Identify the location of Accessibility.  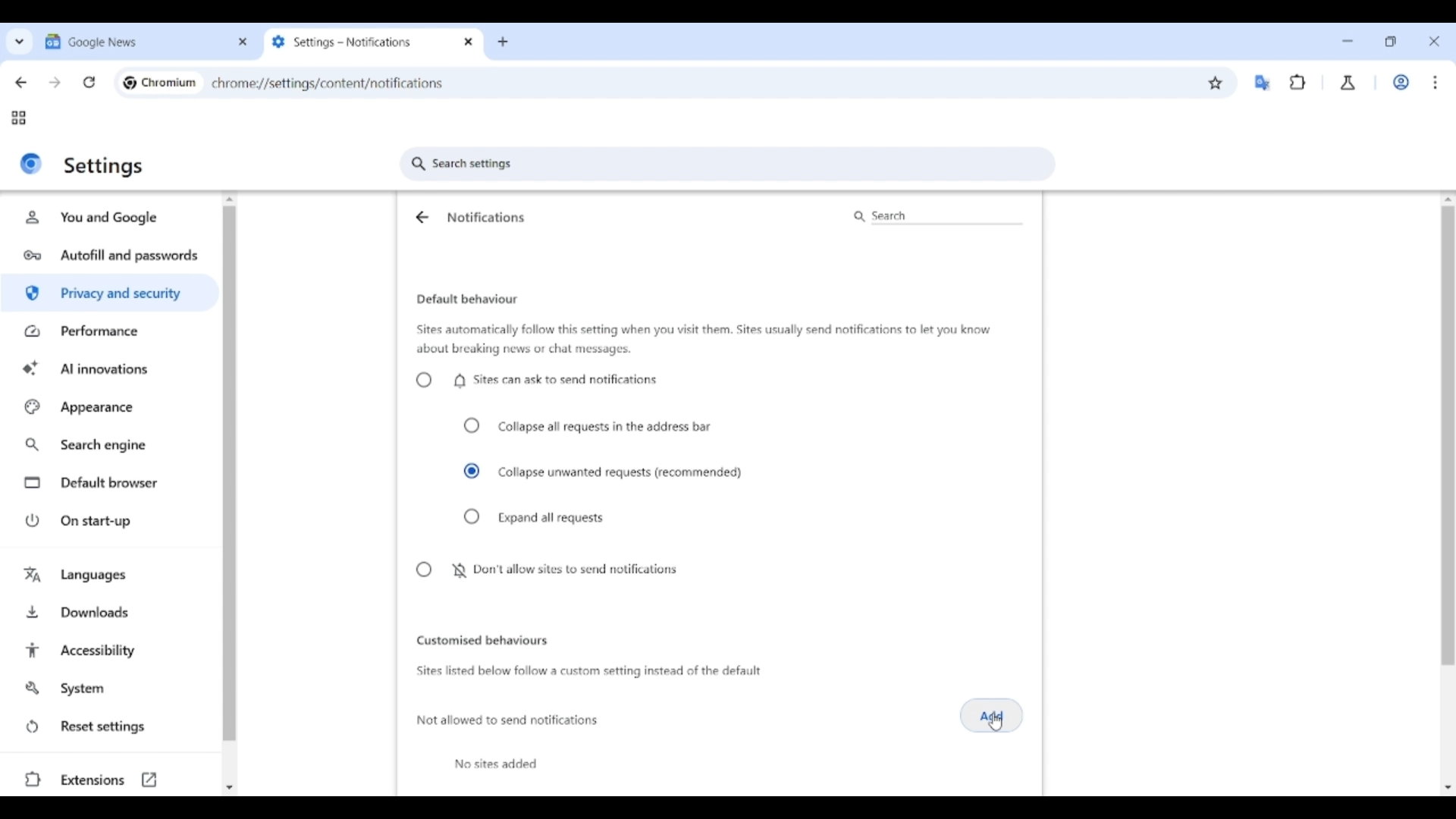
(111, 651).